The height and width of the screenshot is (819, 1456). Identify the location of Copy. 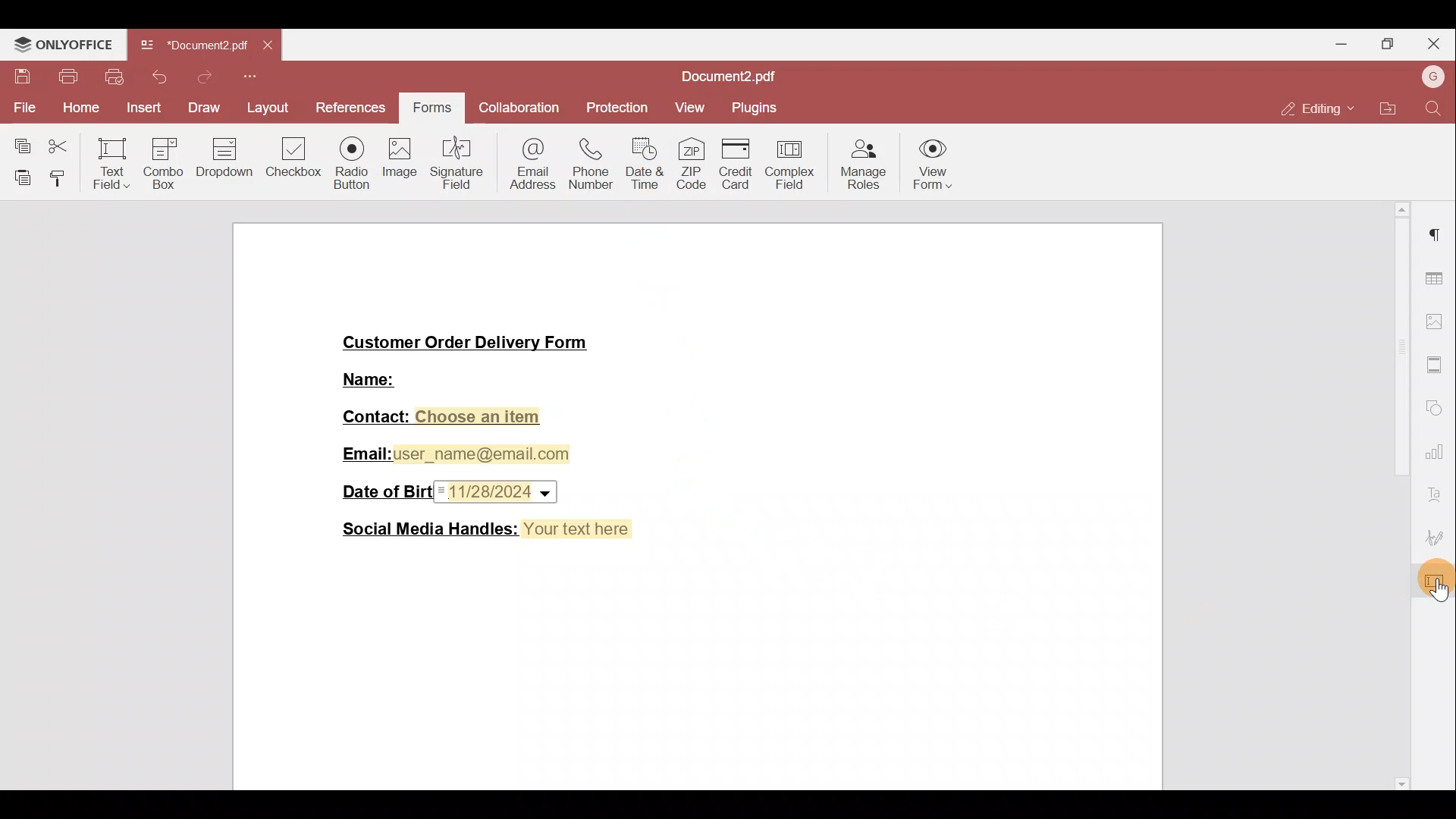
(19, 143).